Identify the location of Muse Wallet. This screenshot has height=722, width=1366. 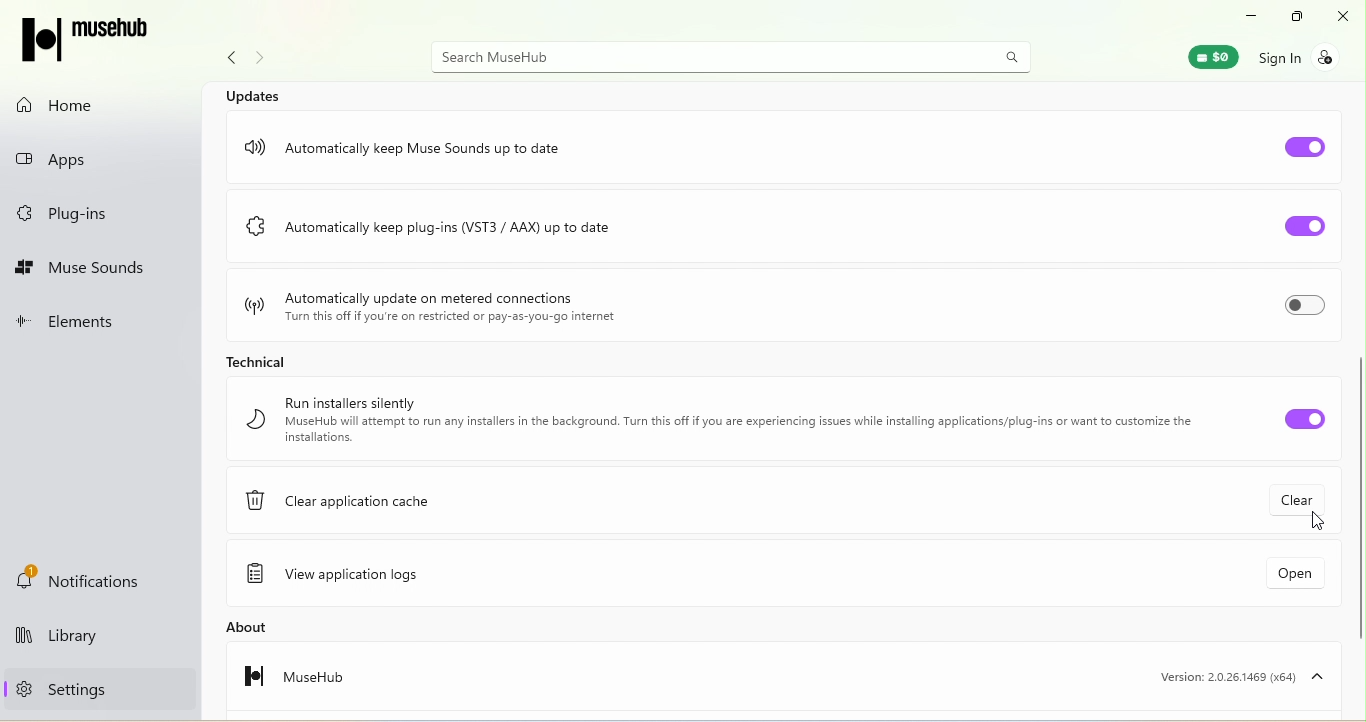
(1203, 56).